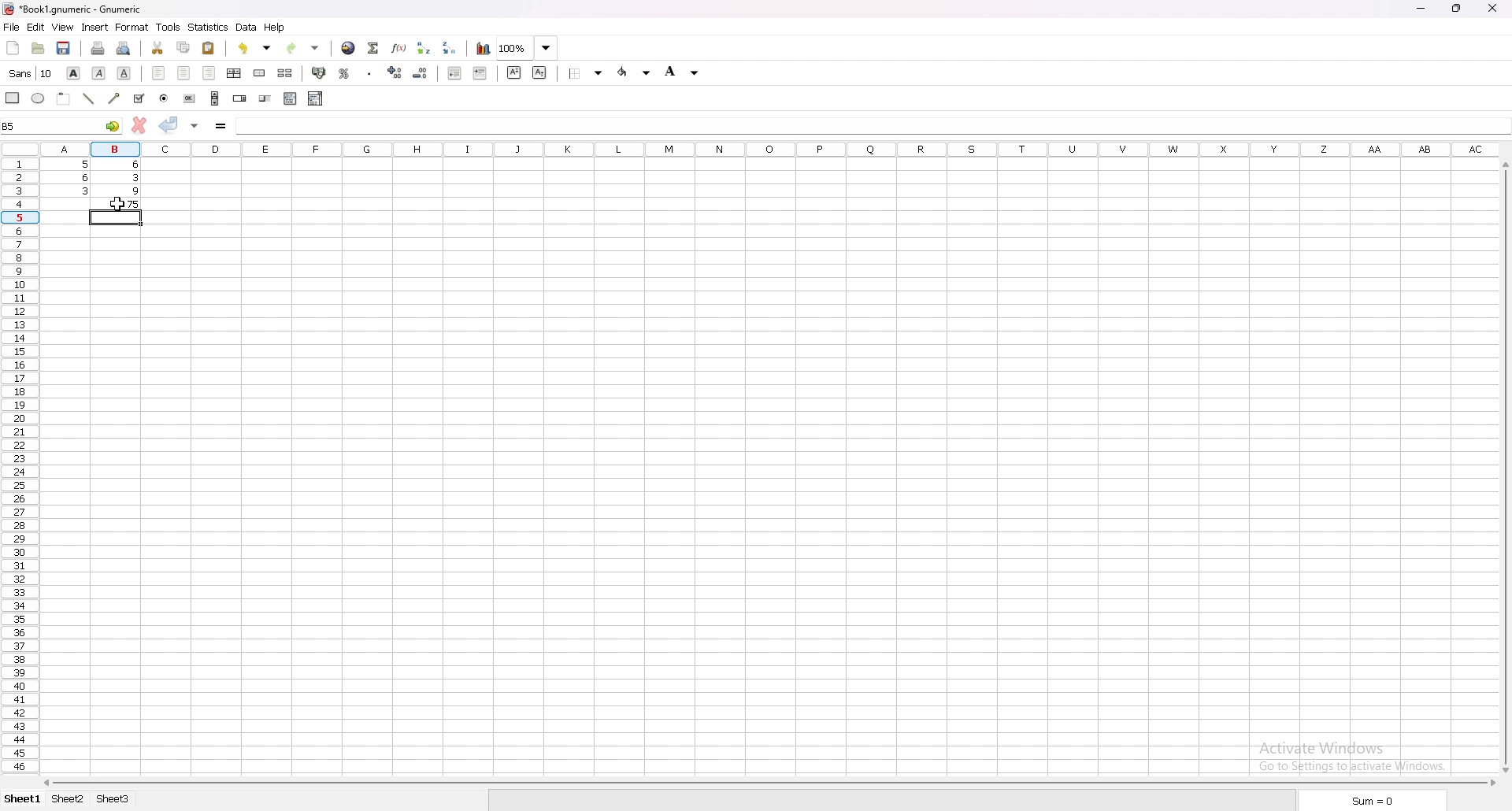 The height and width of the screenshot is (811, 1512). Describe the element at coordinates (169, 124) in the screenshot. I see `accept change` at that location.